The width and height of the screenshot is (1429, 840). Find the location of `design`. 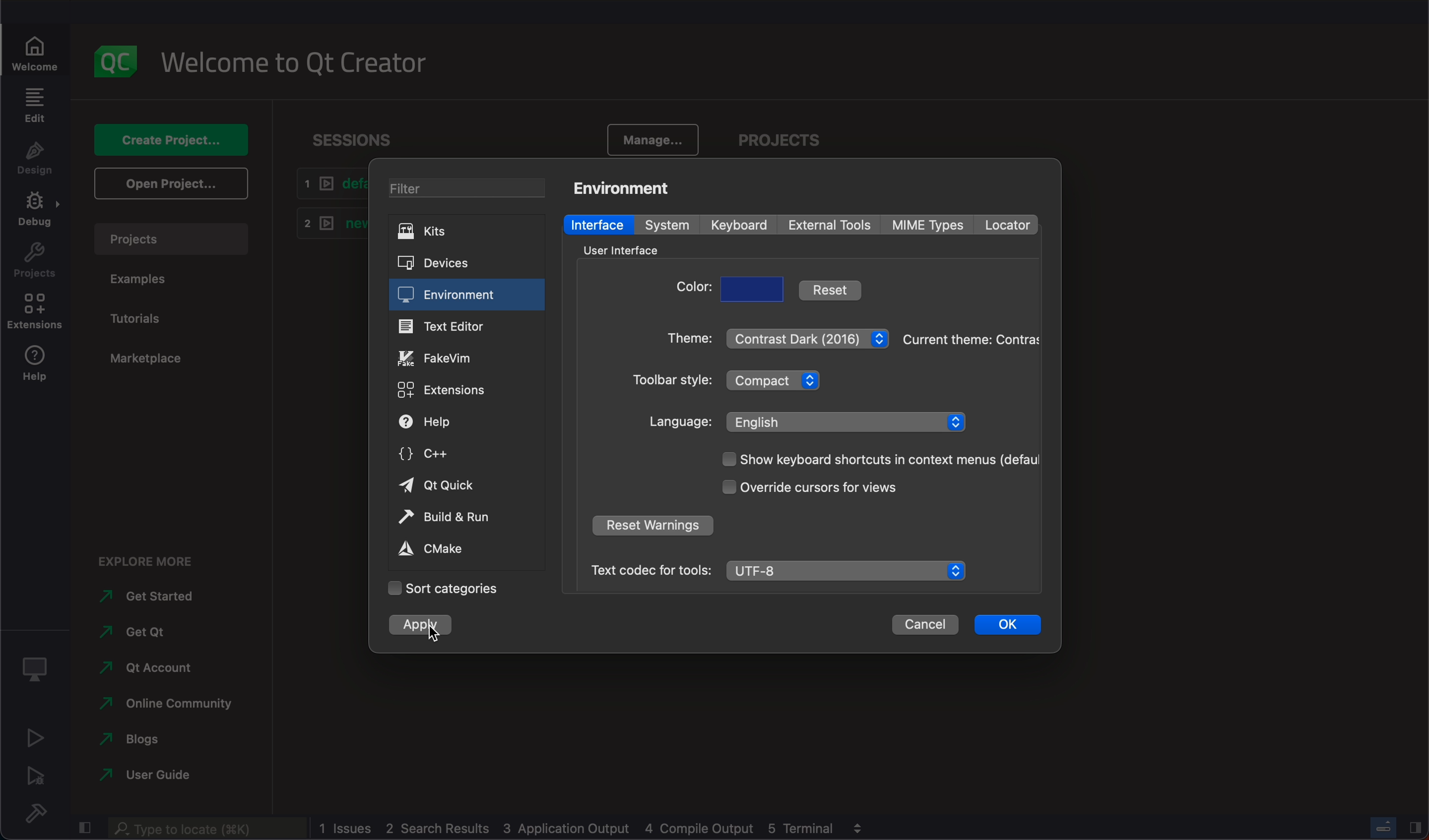

design is located at coordinates (35, 158).